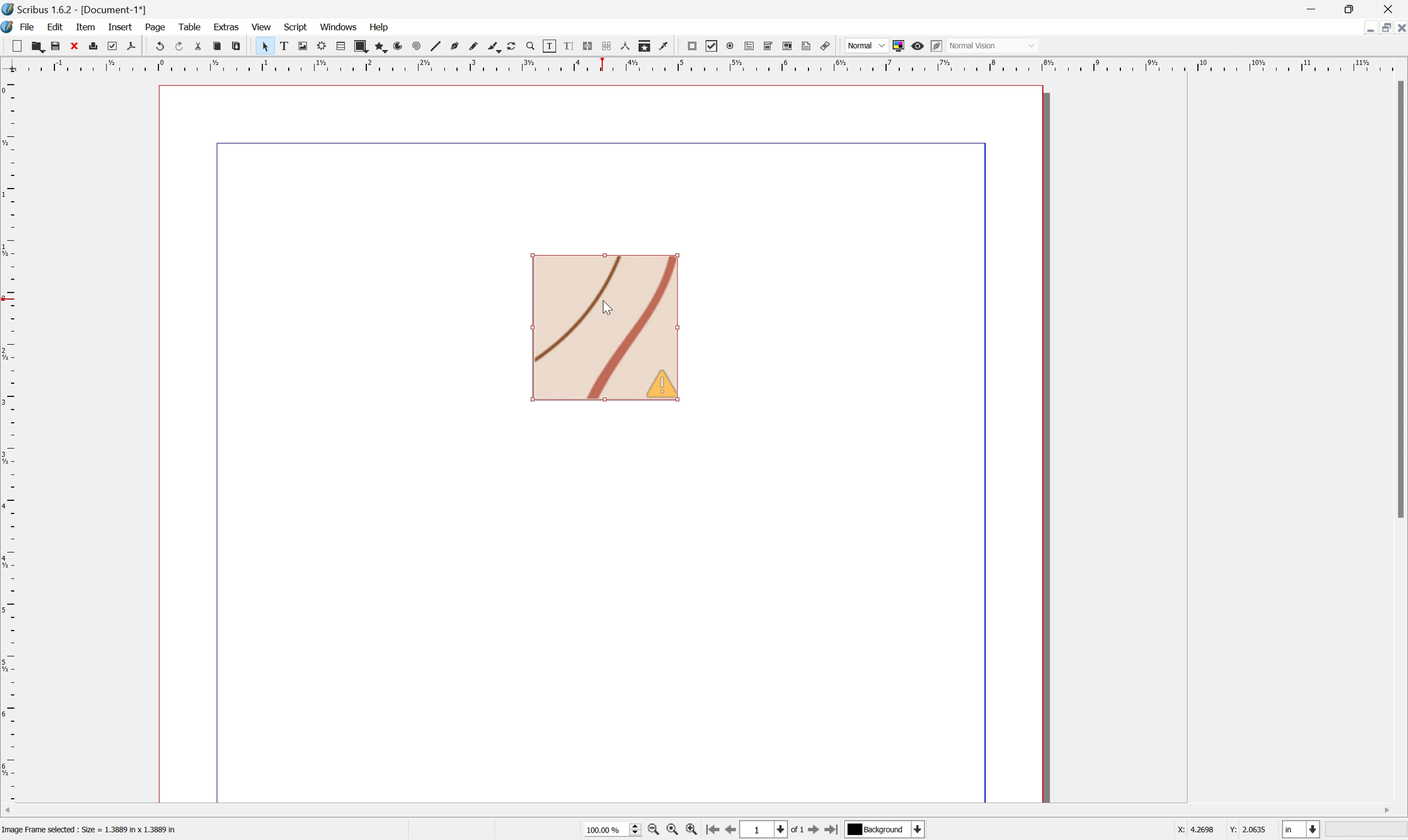 Image resolution: width=1408 pixels, height=840 pixels. I want to click on Table, so click(191, 25).